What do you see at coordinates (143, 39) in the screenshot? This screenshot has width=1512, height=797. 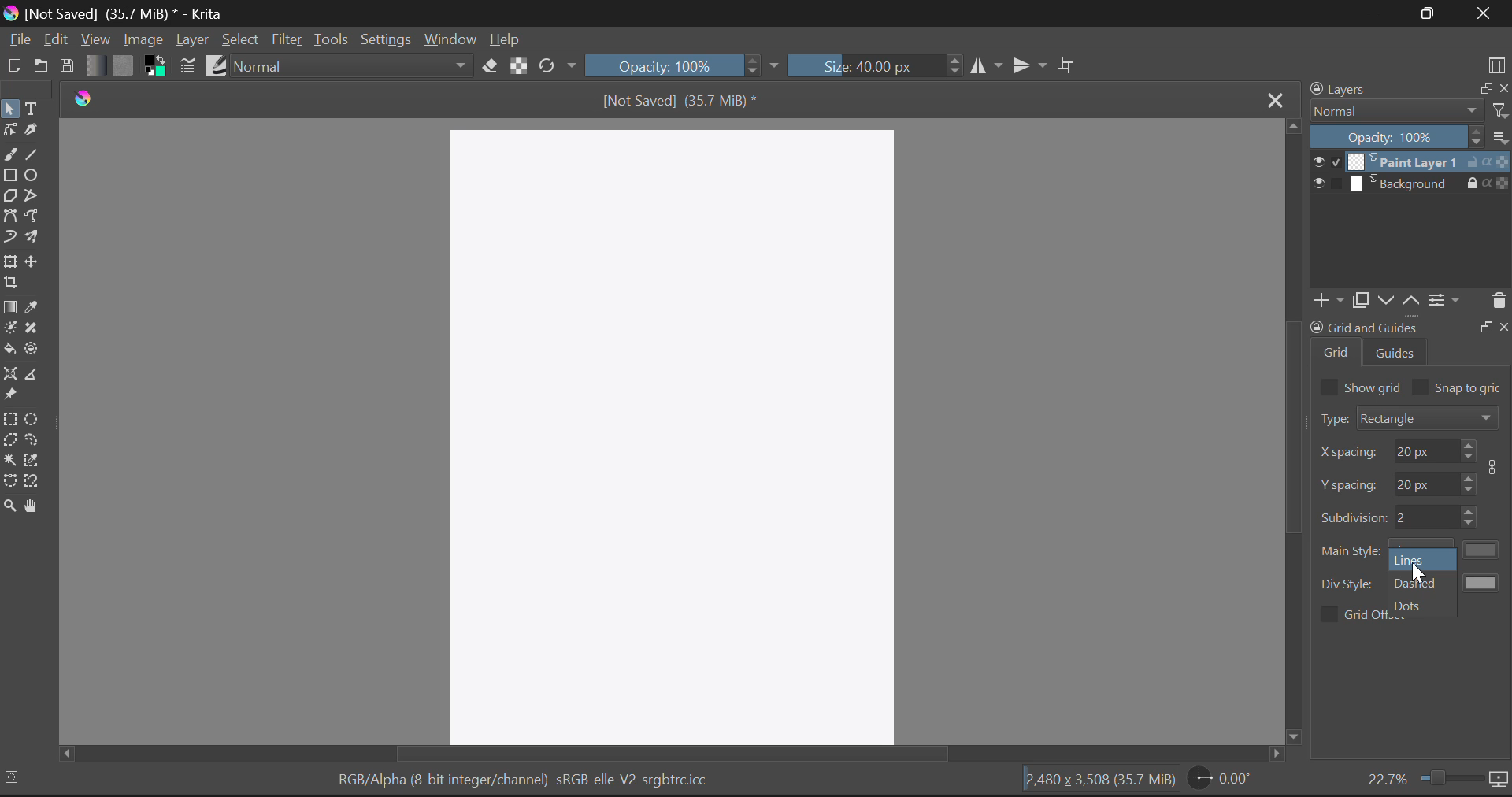 I see `Image` at bounding box center [143, 39].